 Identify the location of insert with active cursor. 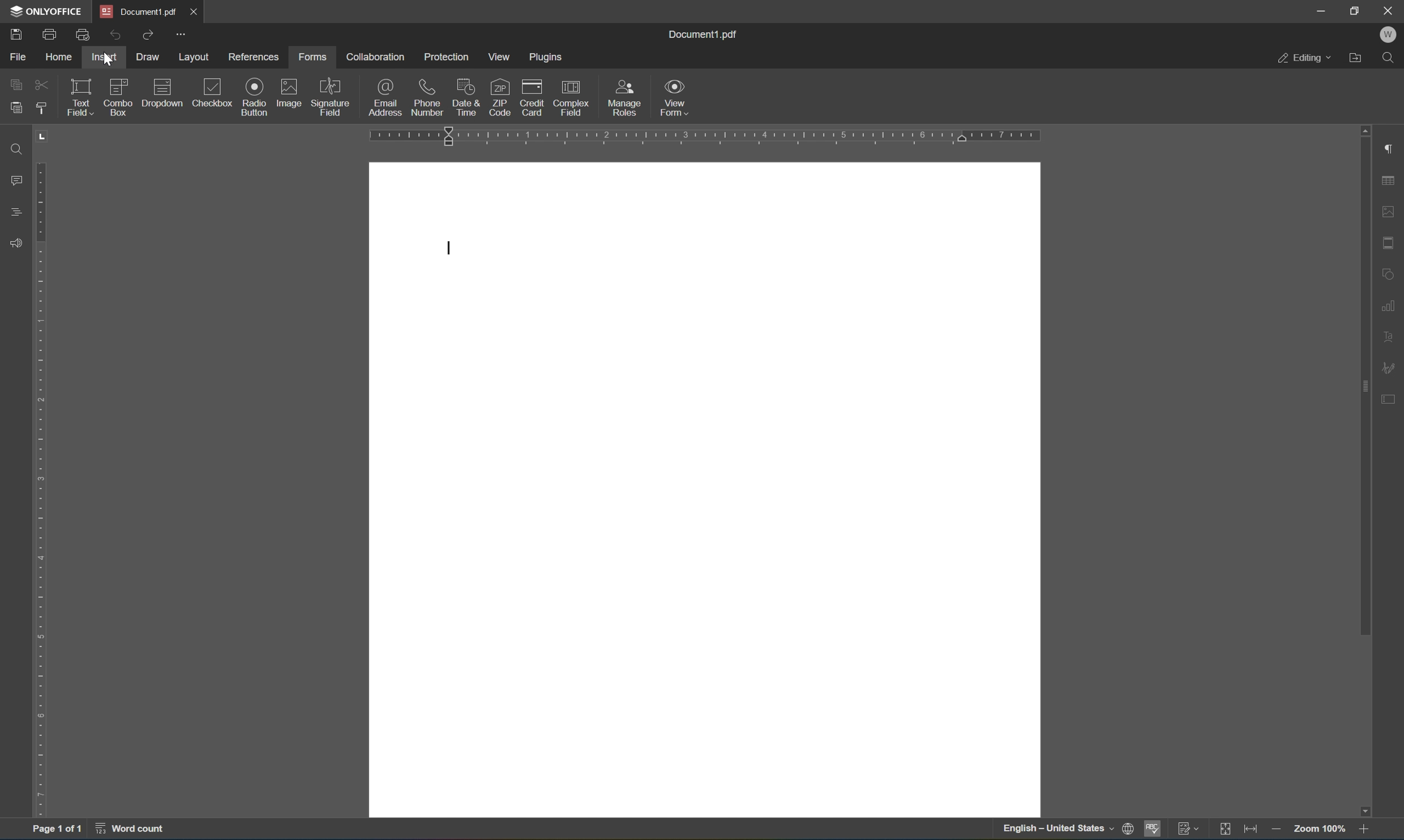
(104, 57).